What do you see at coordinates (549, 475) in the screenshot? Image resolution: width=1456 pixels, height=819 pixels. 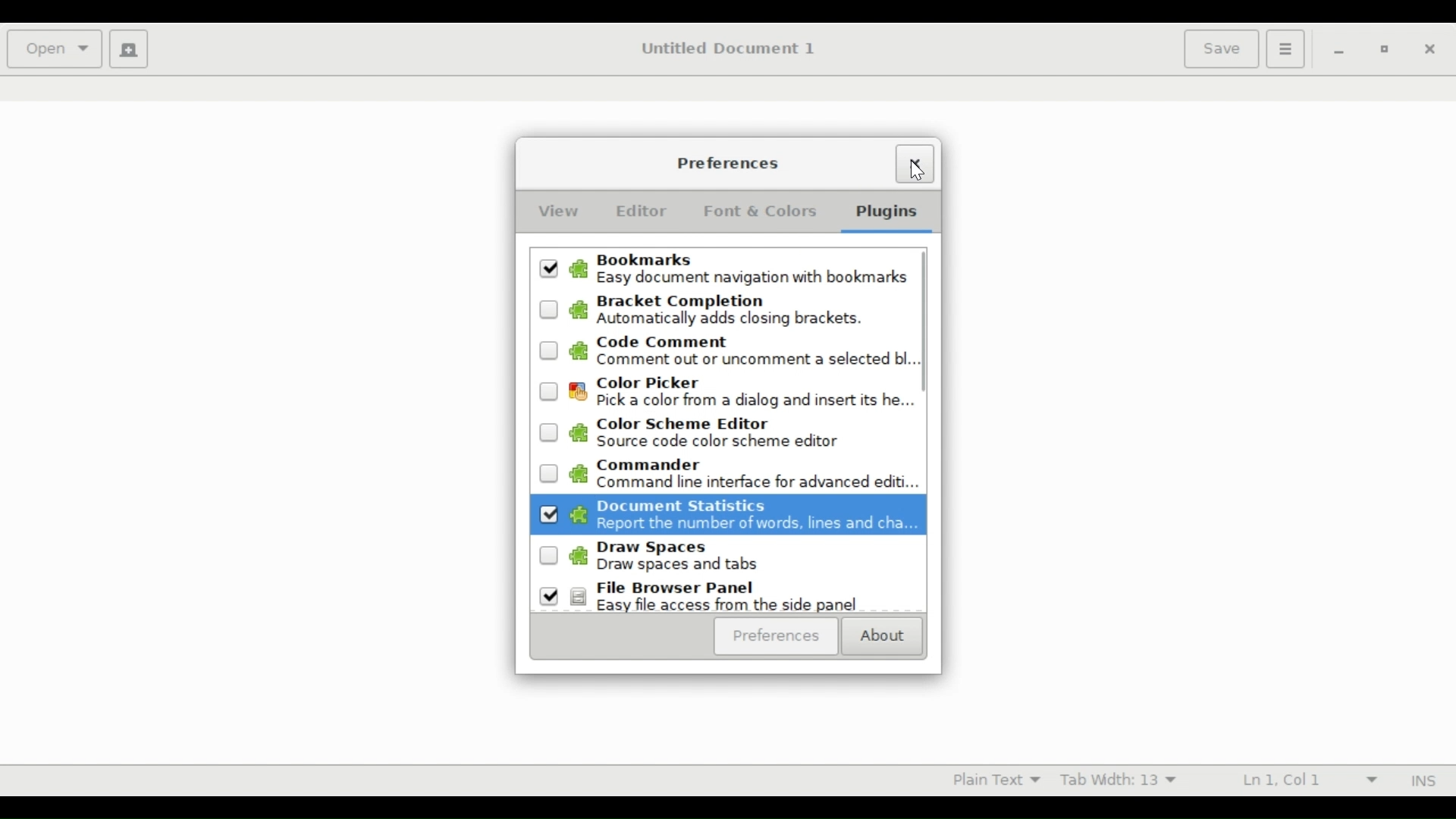 I see `Unselected` at bounding box center [549, 475].